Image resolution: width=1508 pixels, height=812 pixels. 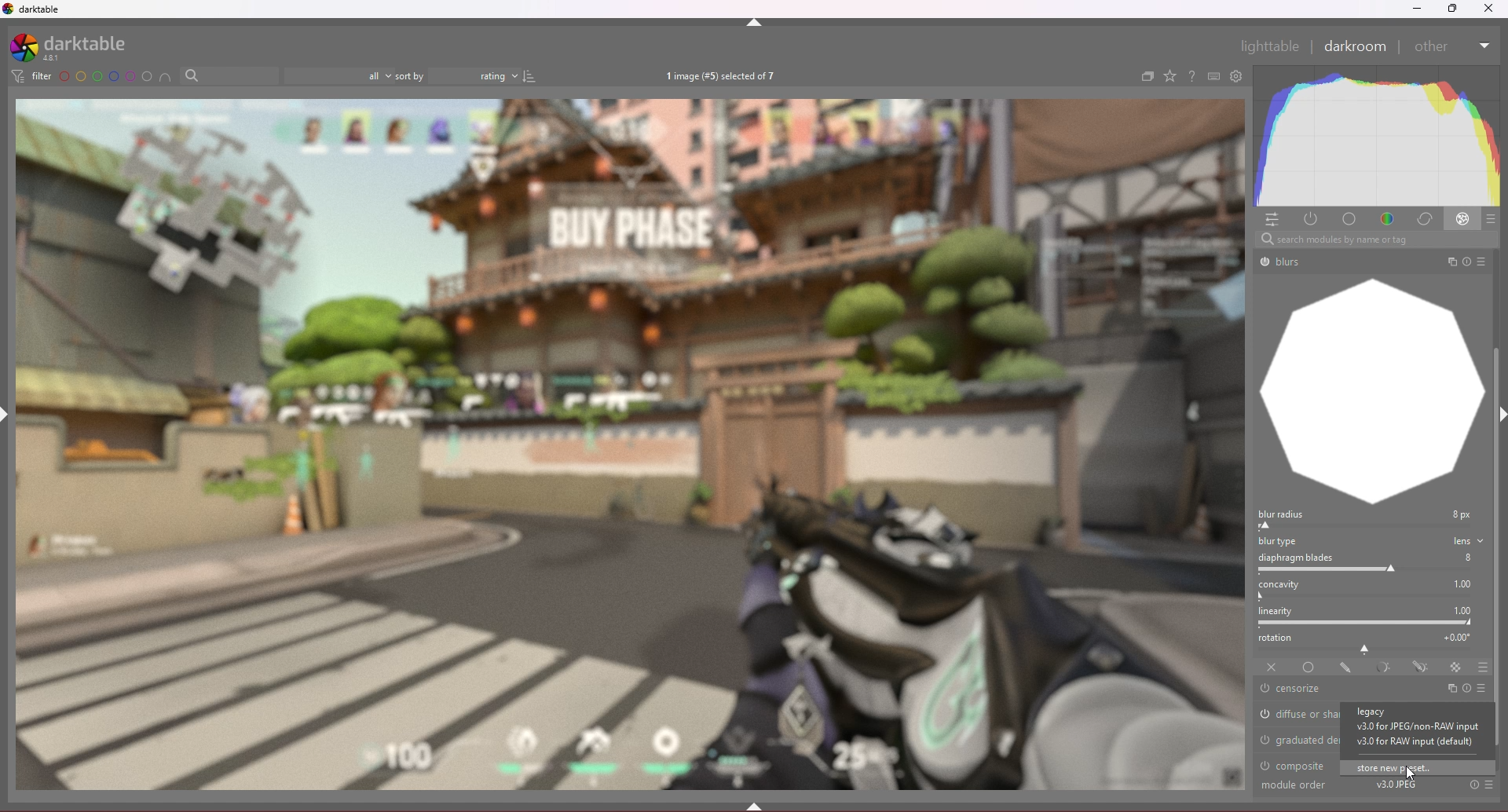 I want to click on filter, so click(x=32, y=75).